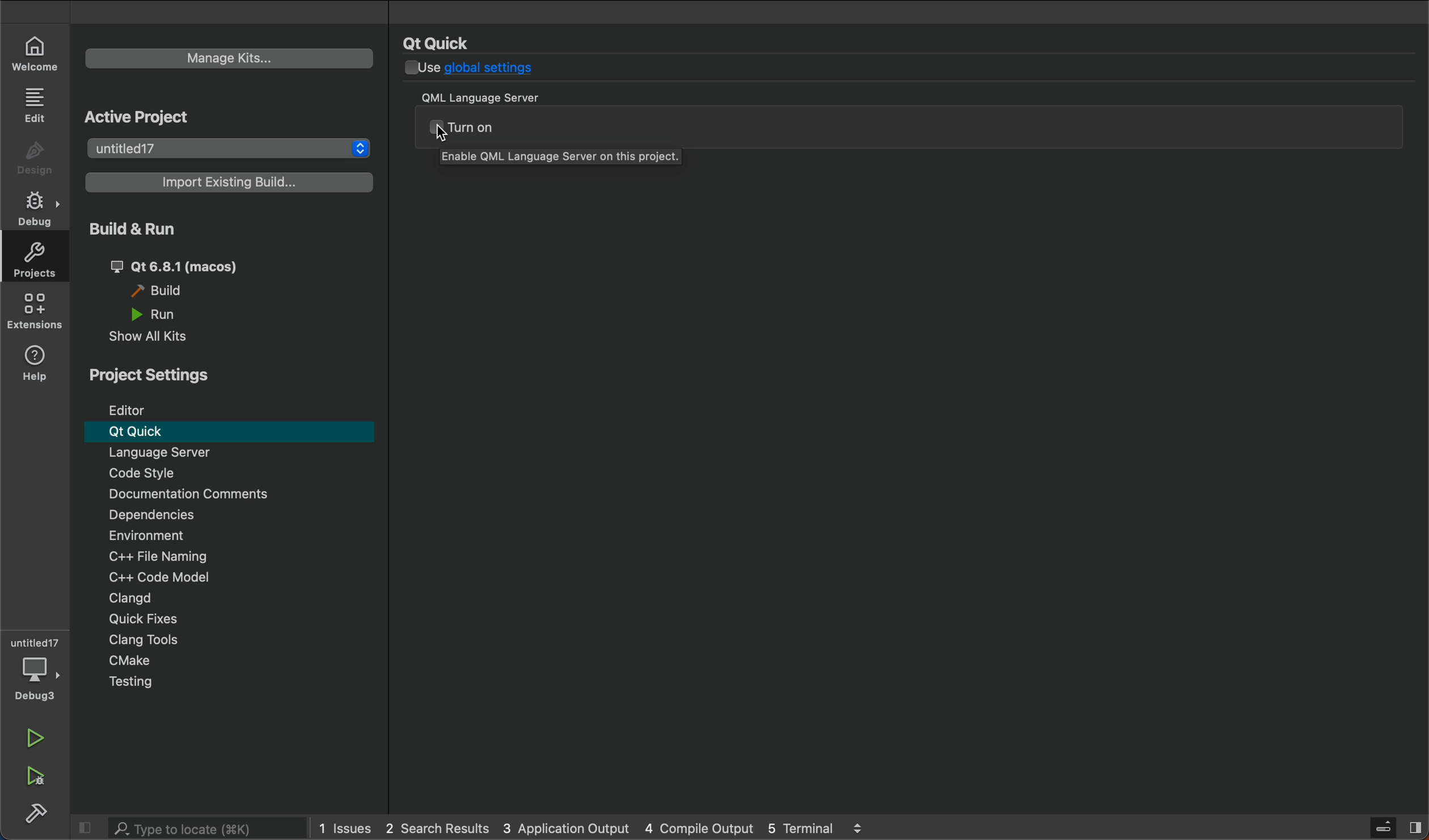 The width and height of the screenshot is (1429, 840). What do you see at coordinates (238, 495) in the screenshot?
I see `Documentation ` at bounding box center [238, 495].